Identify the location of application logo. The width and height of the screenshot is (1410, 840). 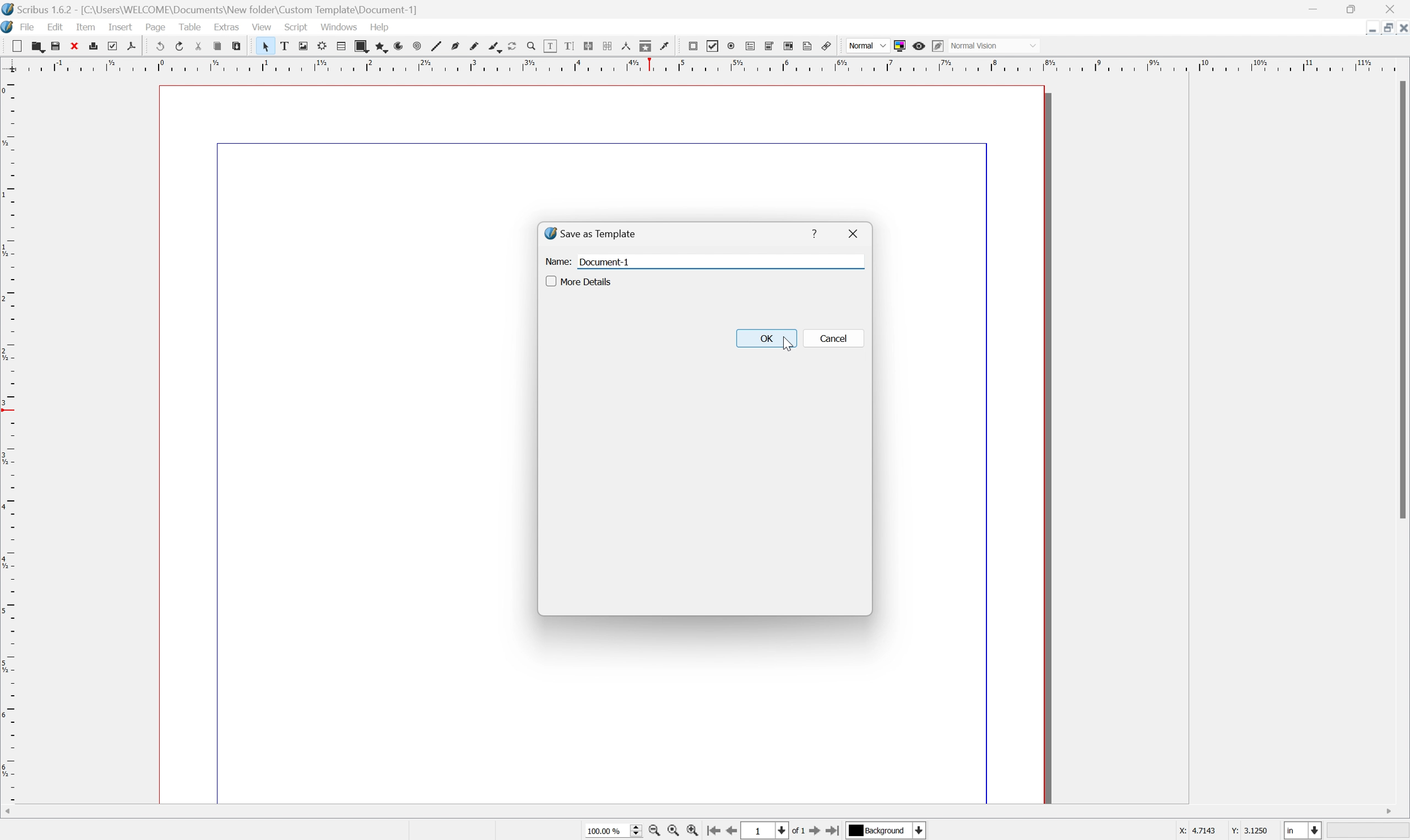
(9, 27).